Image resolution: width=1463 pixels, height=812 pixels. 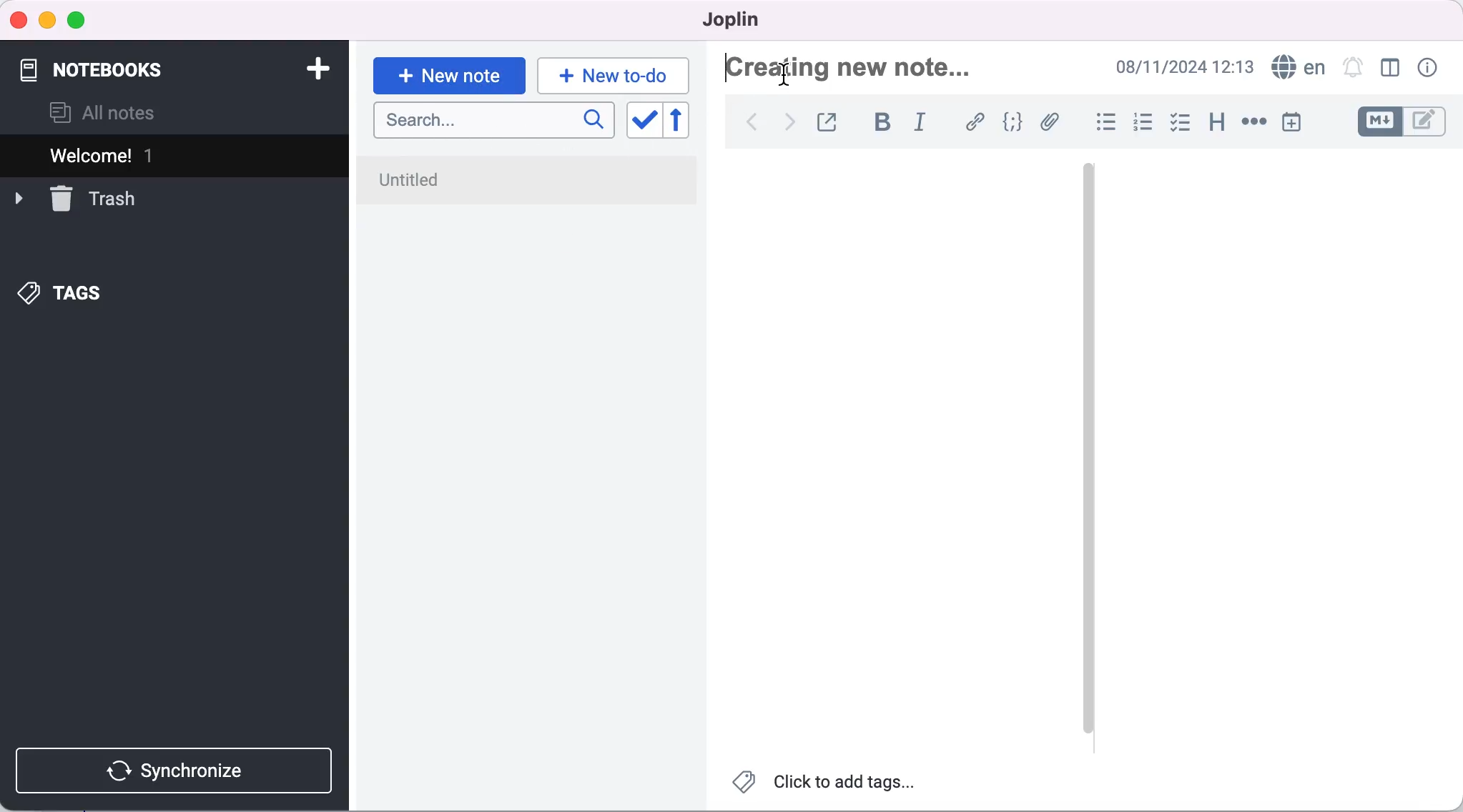 What do you see at coordinates (686, 121) in the screenshot?
I see `reverse sort order` at bounding box center [686, 121].